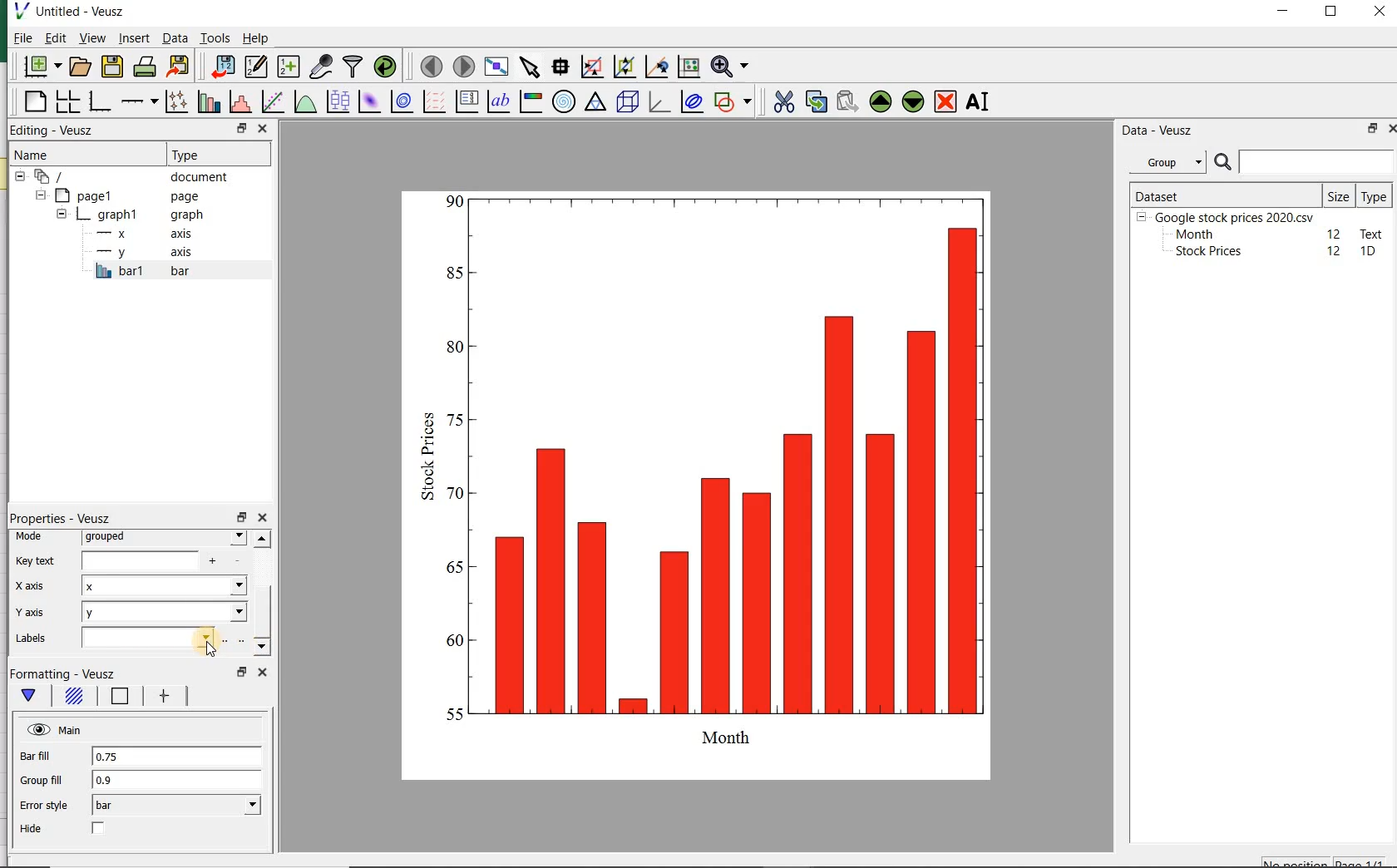 The width and height of the screenshot is (1397, 868). I want to click on open a document, so click(81, 66).